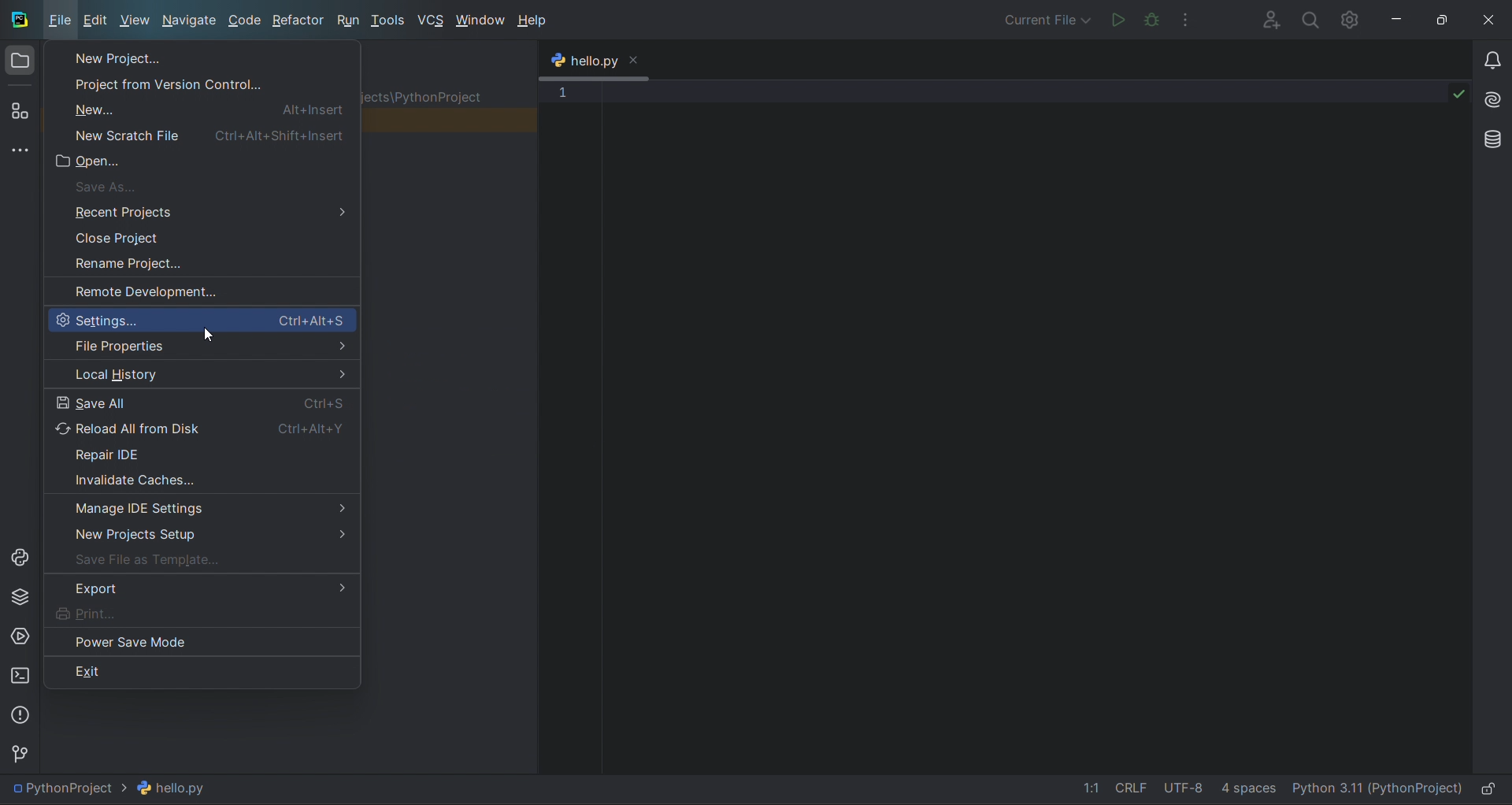 This screenshot has height=805, width=1512. What do you see at coordinates (201, 260) in the screenshot?
I see `rename` at bounding box center [201, 260].